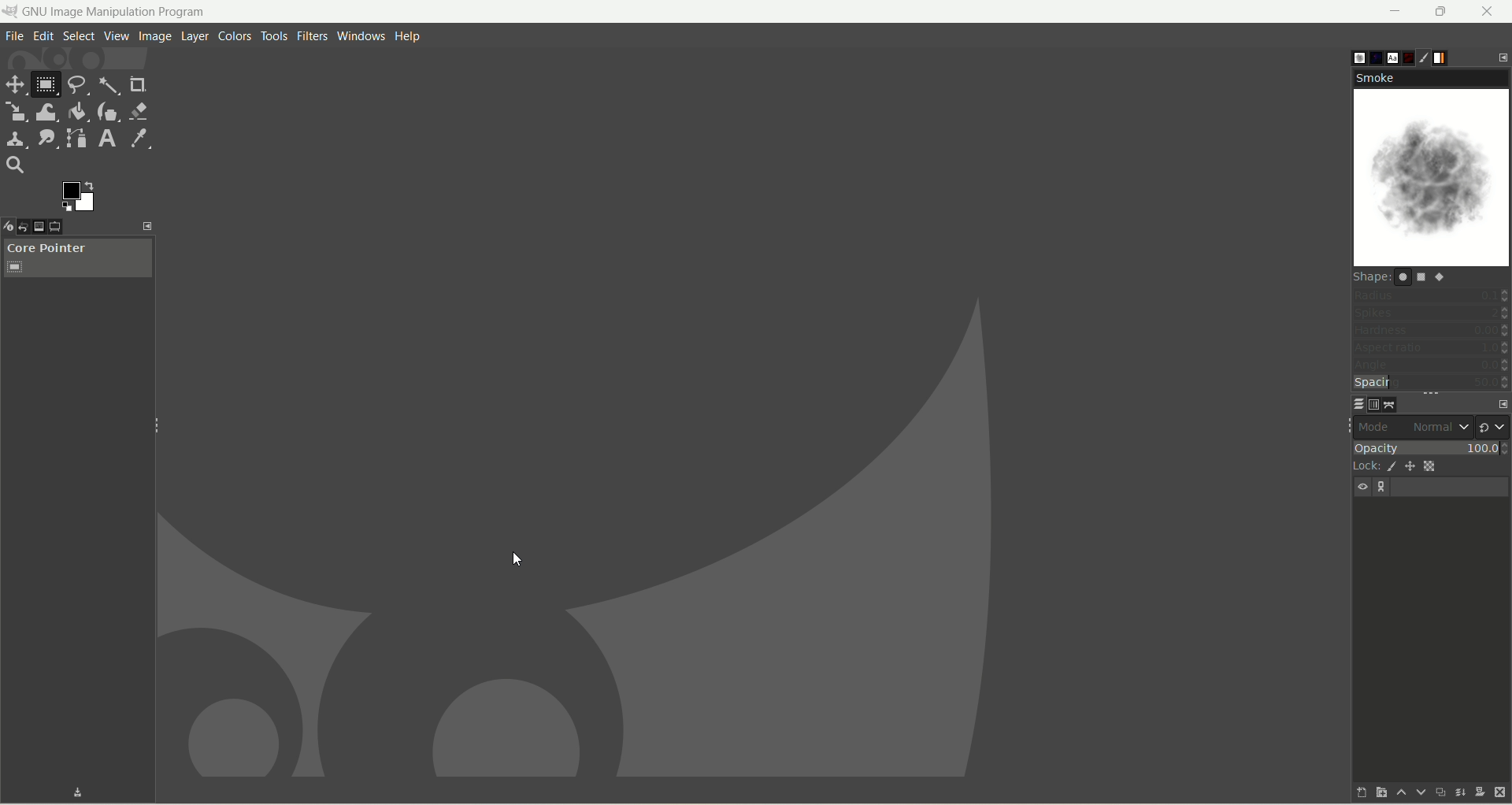  What do you see at coordinates (1407, 276) in the screenshot?
I see `shape` at bounding box center [1407, 276].